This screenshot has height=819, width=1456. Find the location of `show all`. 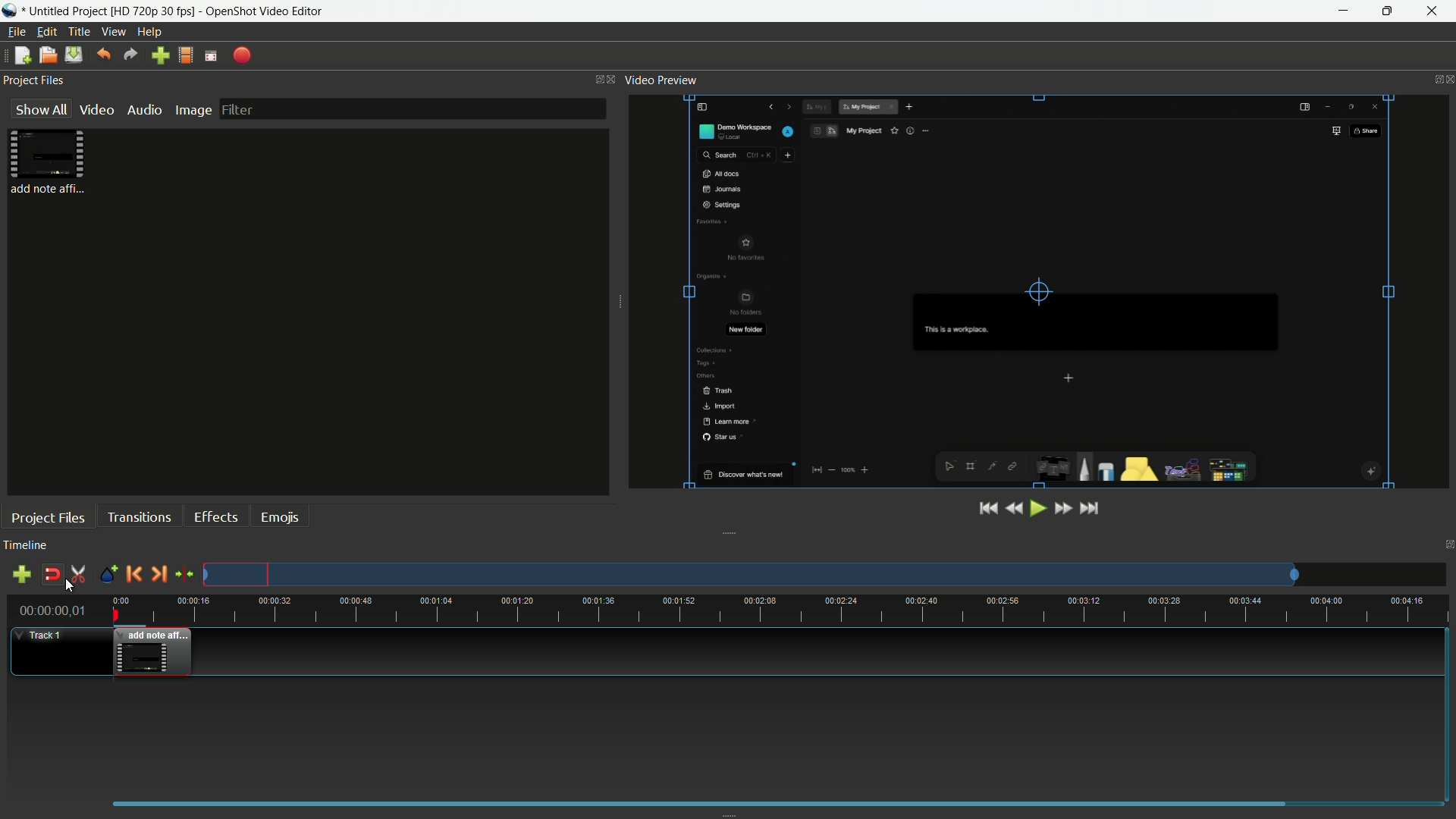

show all is located at coordinates (42, 109).